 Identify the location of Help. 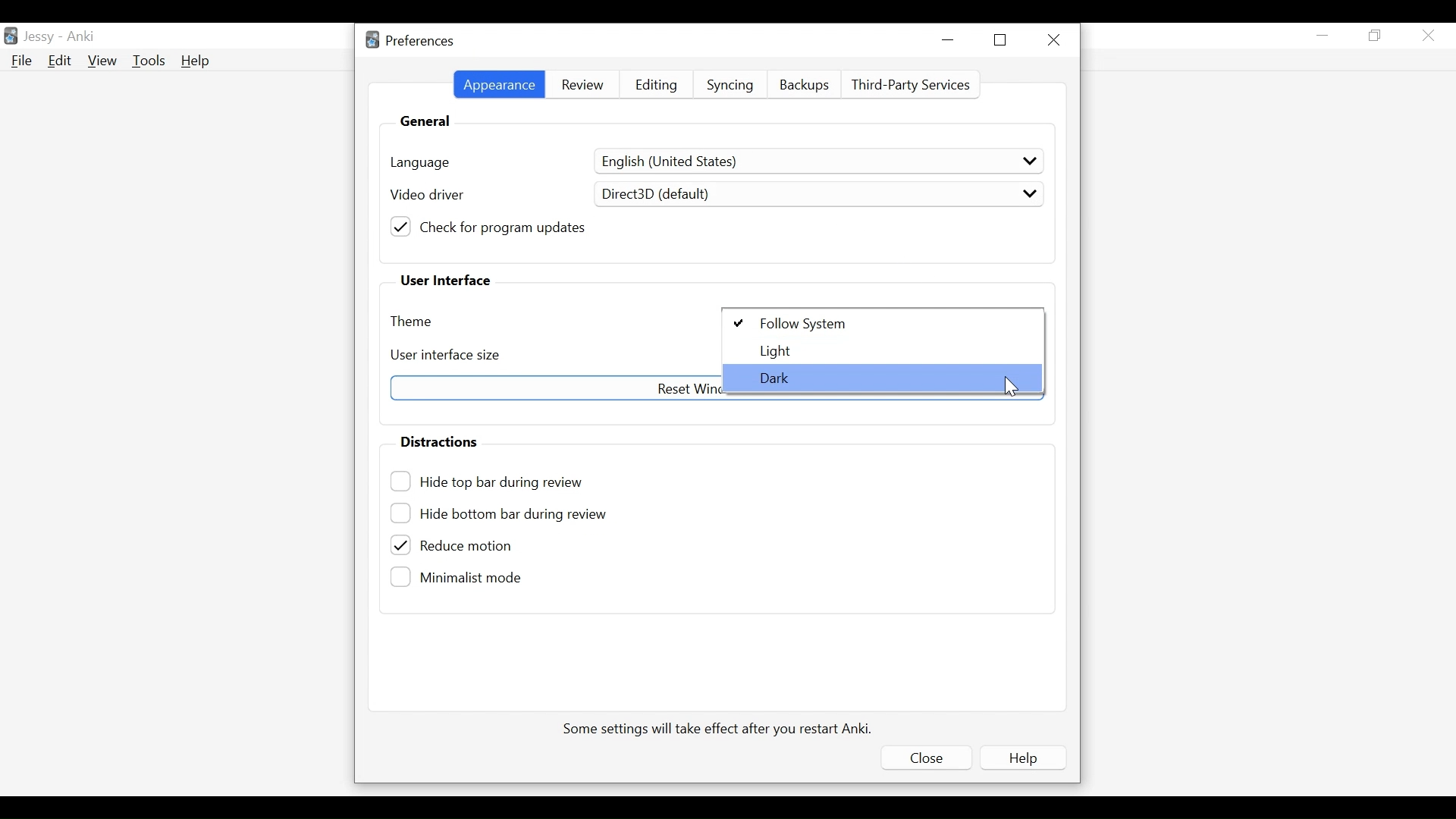
(1021, 758).